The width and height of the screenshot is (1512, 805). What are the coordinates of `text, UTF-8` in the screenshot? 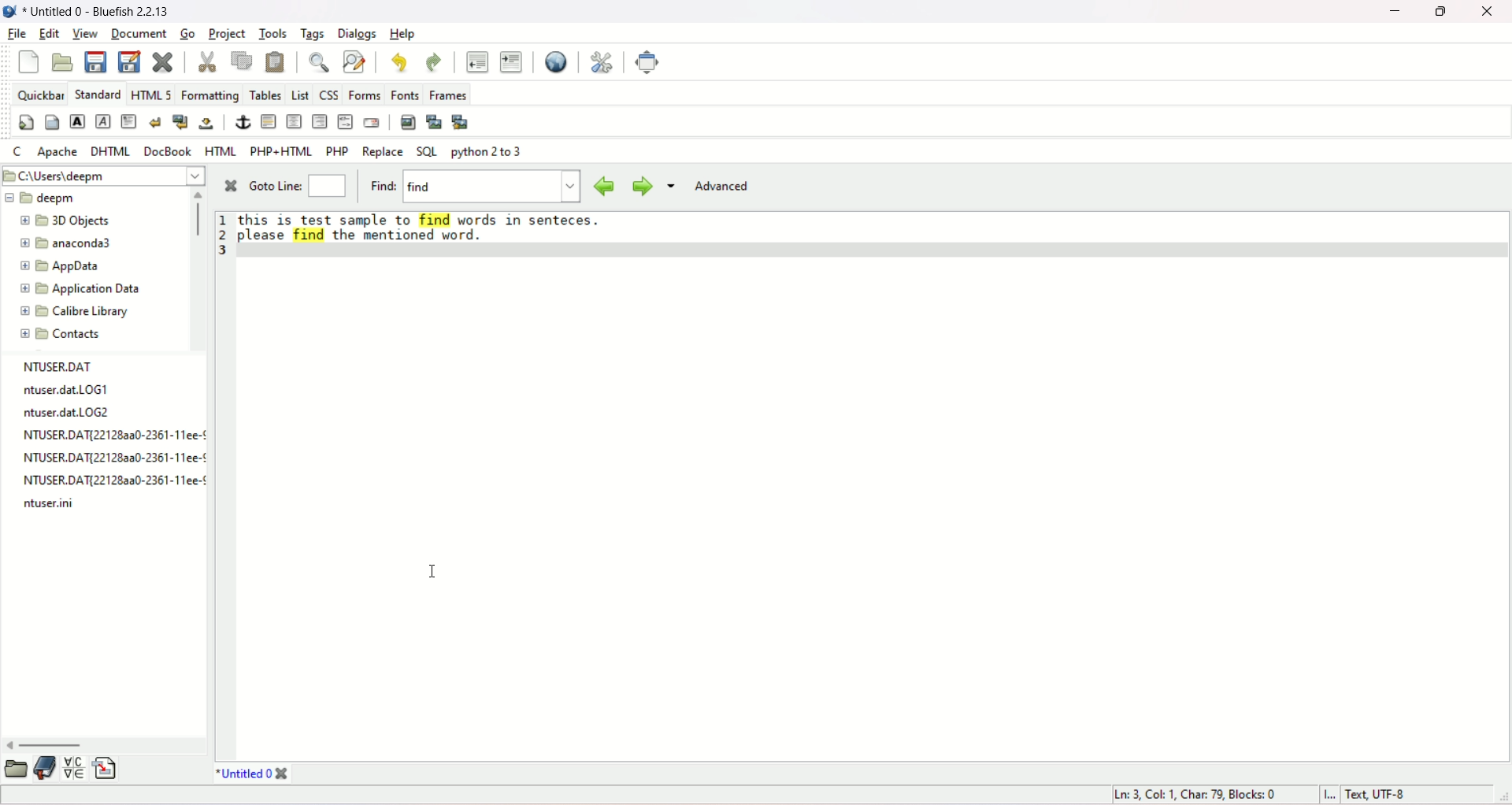 It's located at (1374, 794).